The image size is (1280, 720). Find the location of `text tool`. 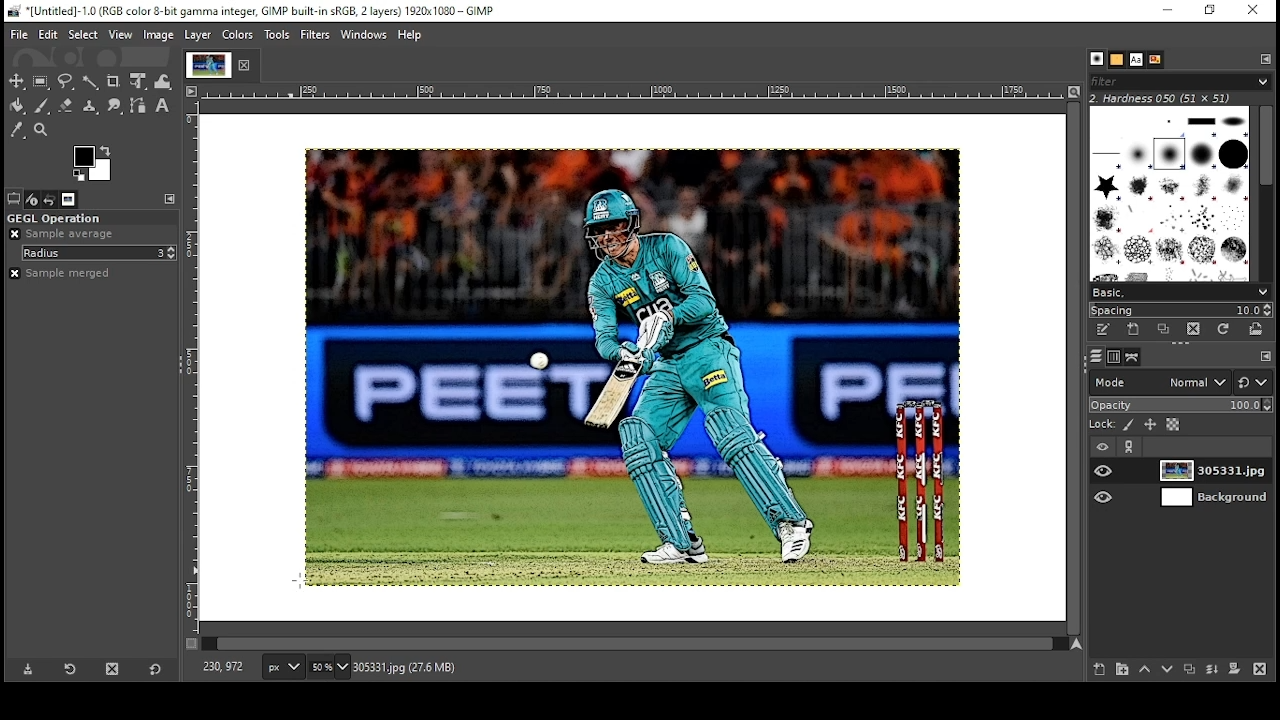

text tool is located at coordinates (165, 106).